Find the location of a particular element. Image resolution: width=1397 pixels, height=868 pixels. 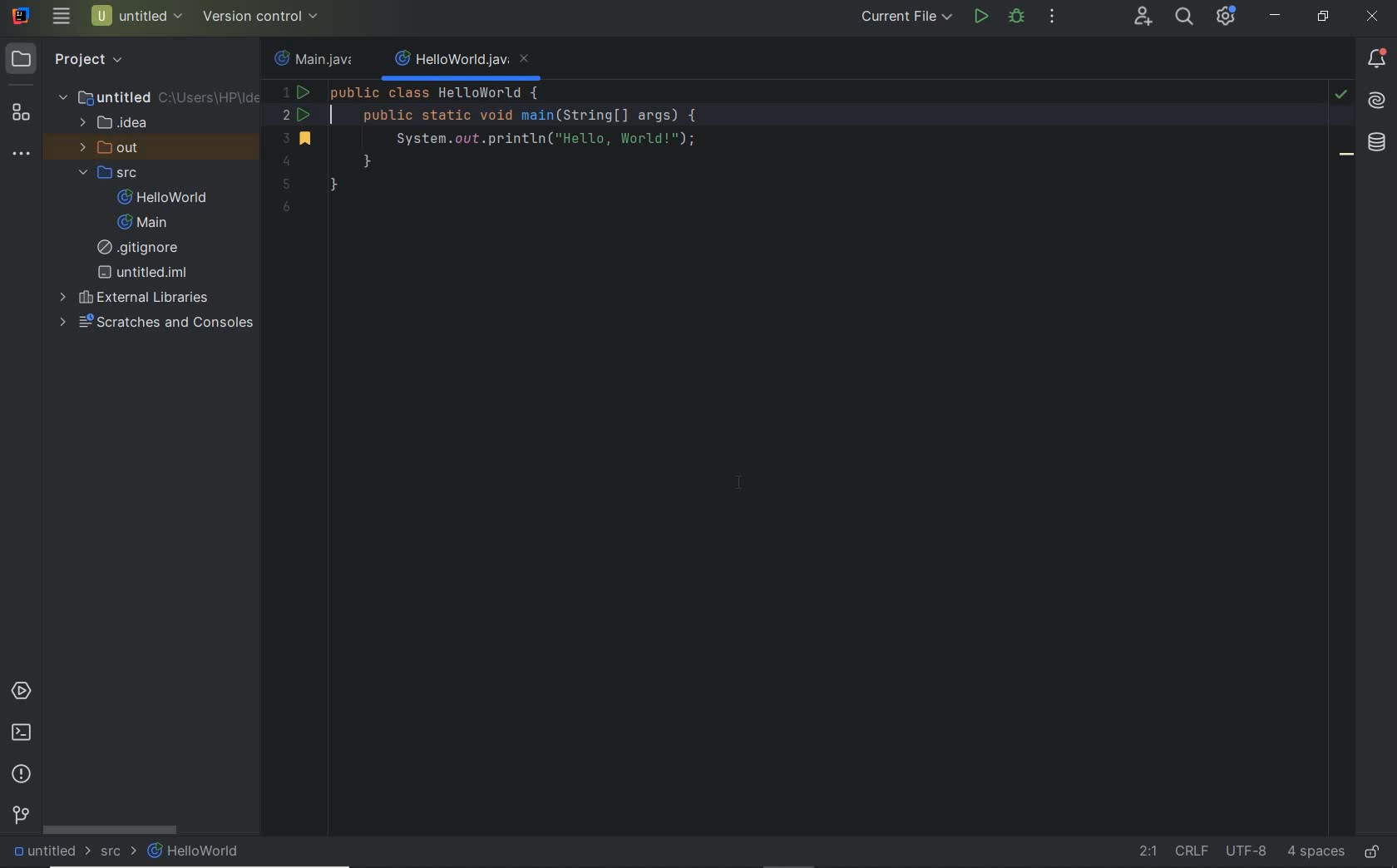

database is located at coordinates (1377, 145).